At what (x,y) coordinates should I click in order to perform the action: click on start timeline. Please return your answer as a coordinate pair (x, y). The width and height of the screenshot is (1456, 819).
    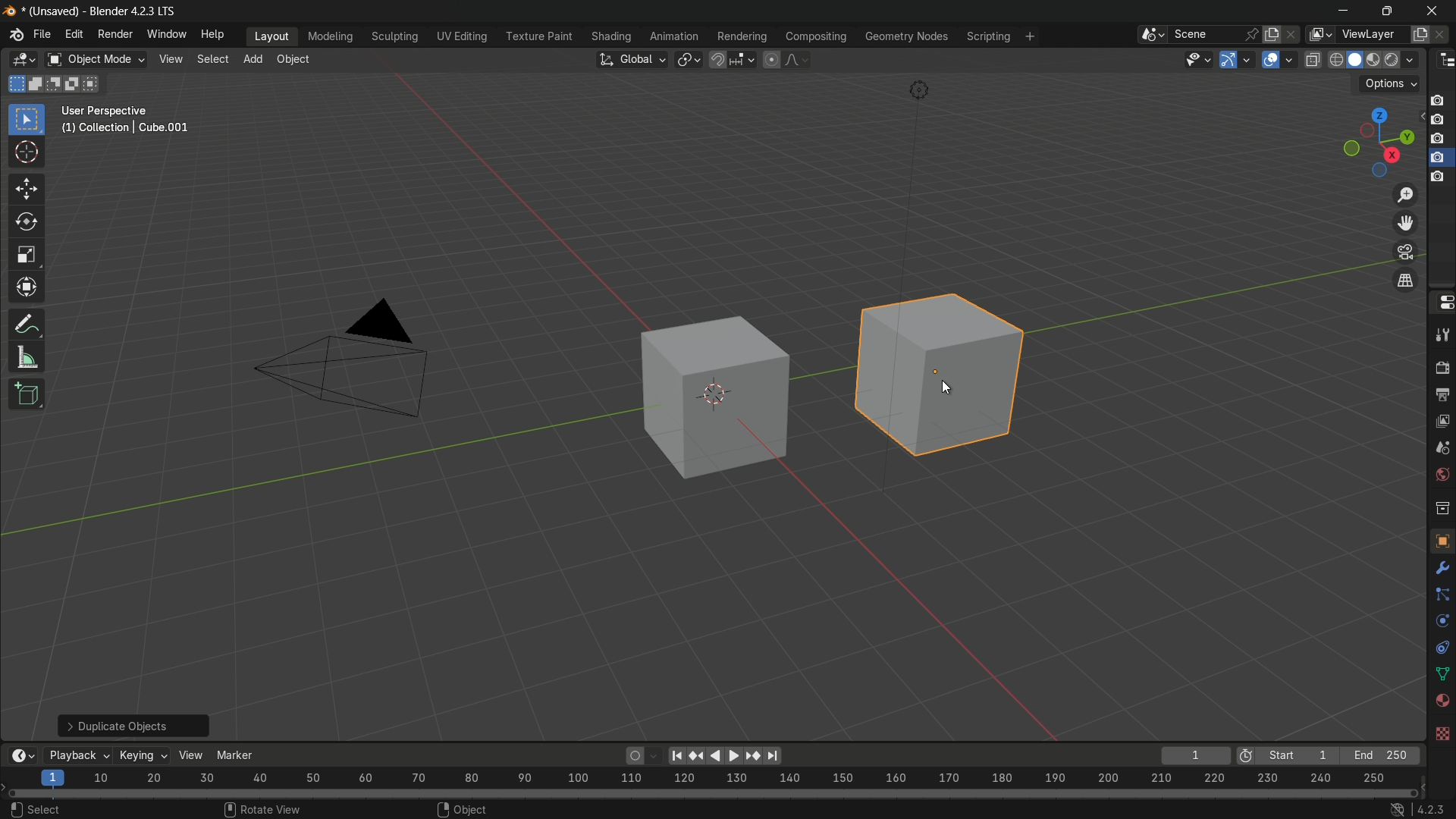
    Looking at the image, I should click on (1298, 756).